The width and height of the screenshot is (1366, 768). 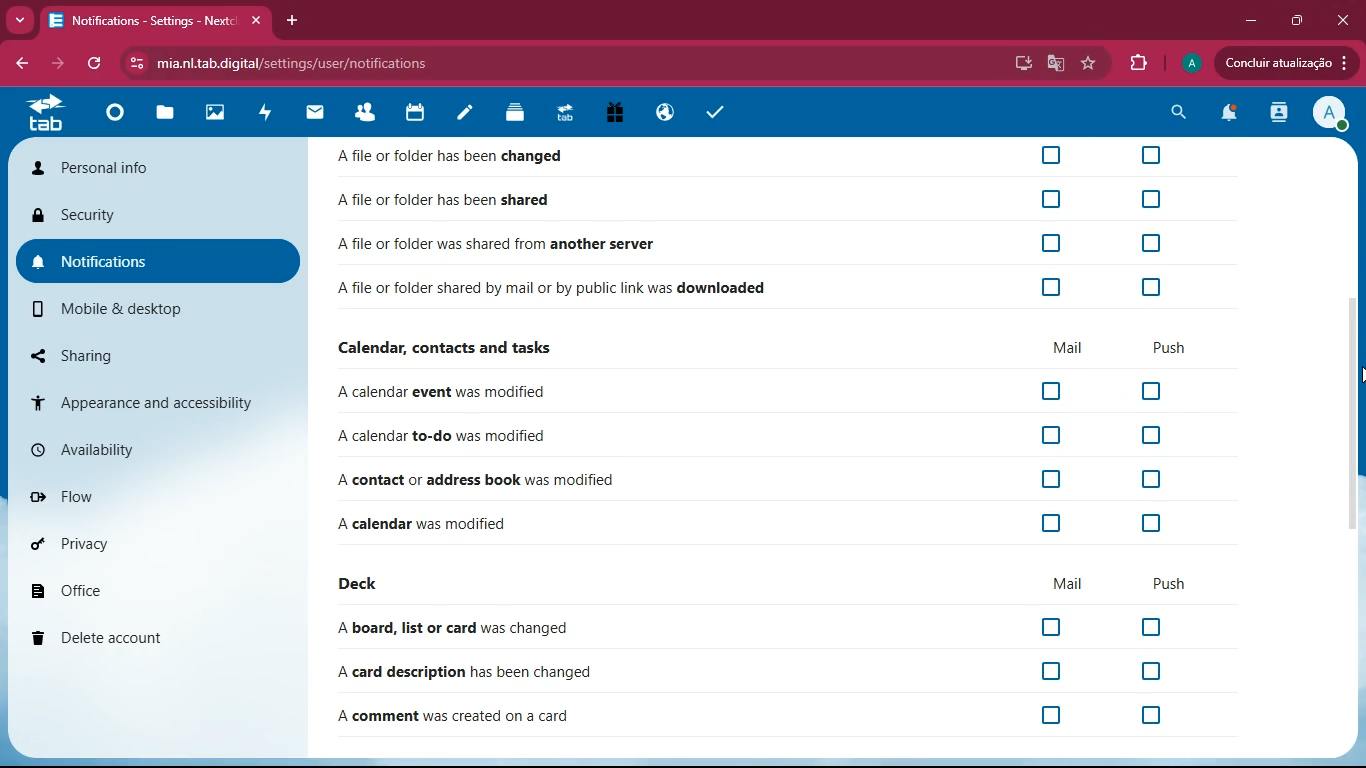 What do you see at coordinates (1051, 242) in the screenshot?
I see `off` at bounding box center [1051, 242].